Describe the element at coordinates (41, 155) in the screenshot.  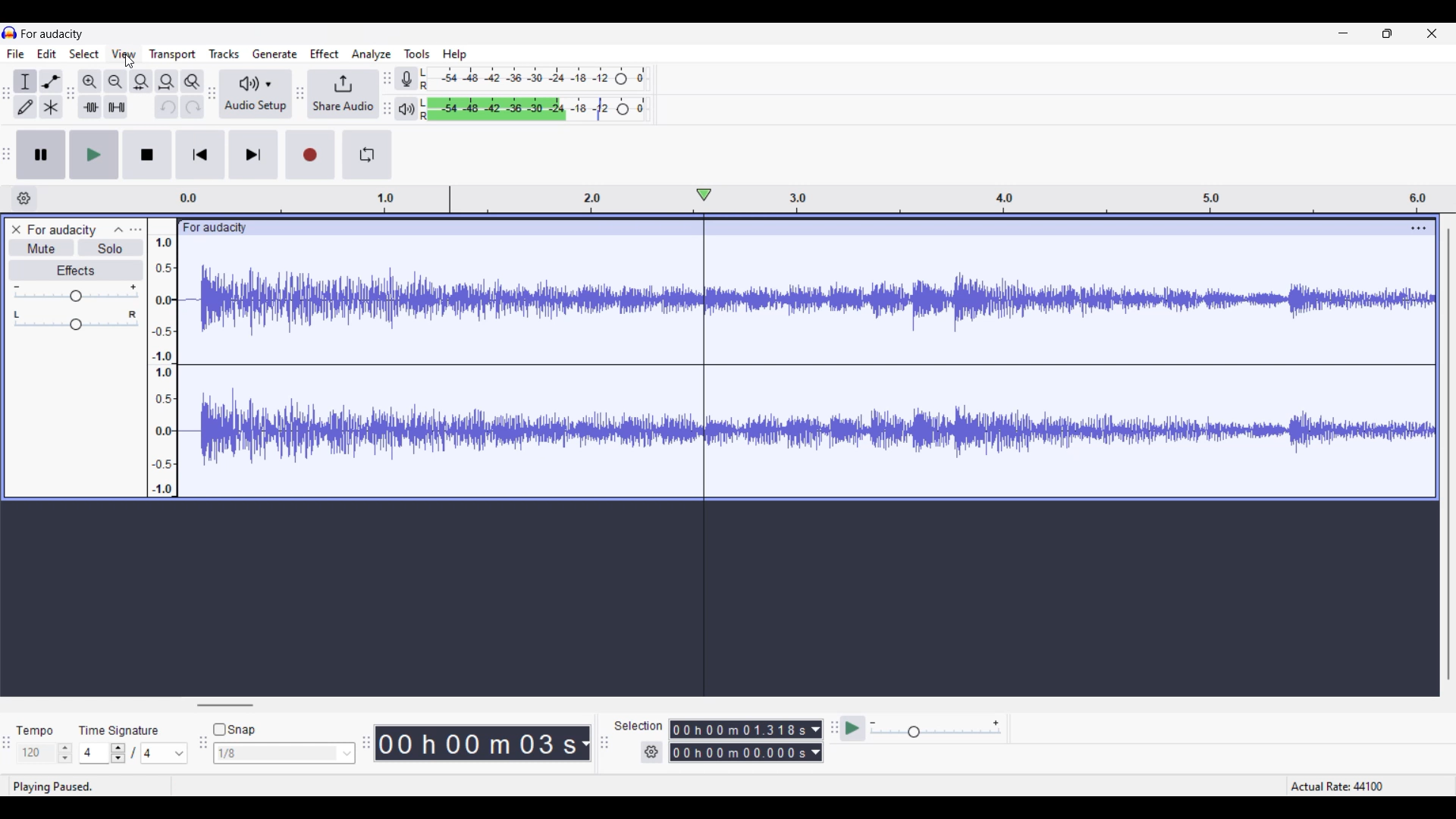
I see `Pause` at that location.